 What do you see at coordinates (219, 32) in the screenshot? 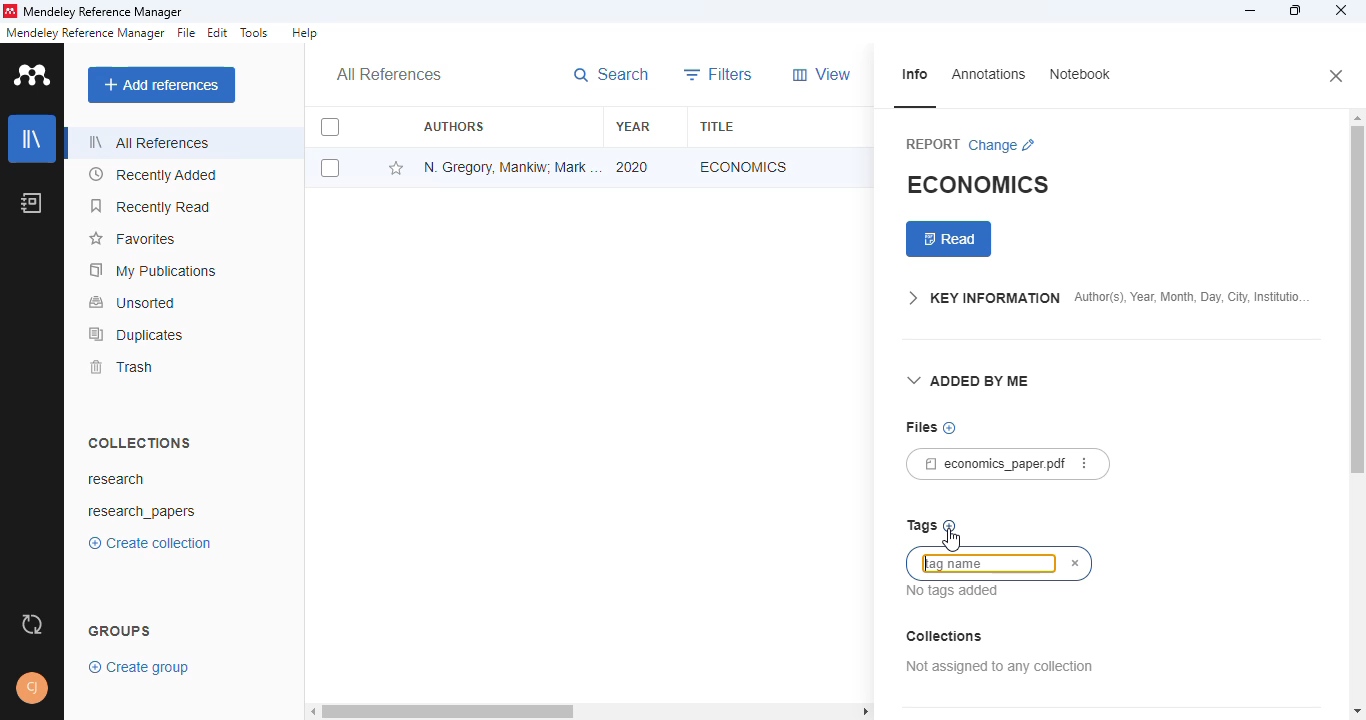
I see `edit` at bounding box center [219, 32].